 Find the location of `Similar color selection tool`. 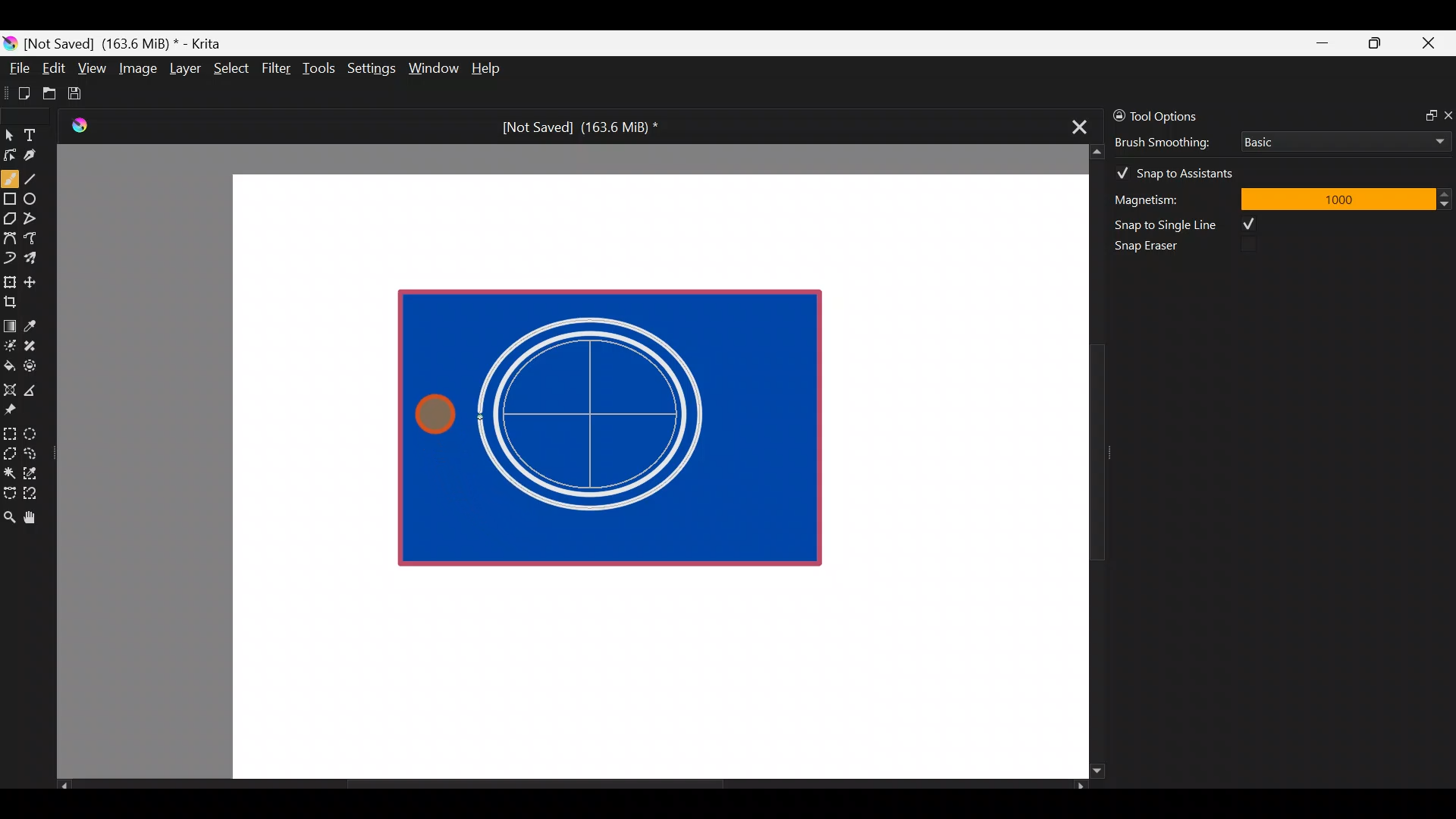

Similar color selection tool is located at coordinates (33, 472).